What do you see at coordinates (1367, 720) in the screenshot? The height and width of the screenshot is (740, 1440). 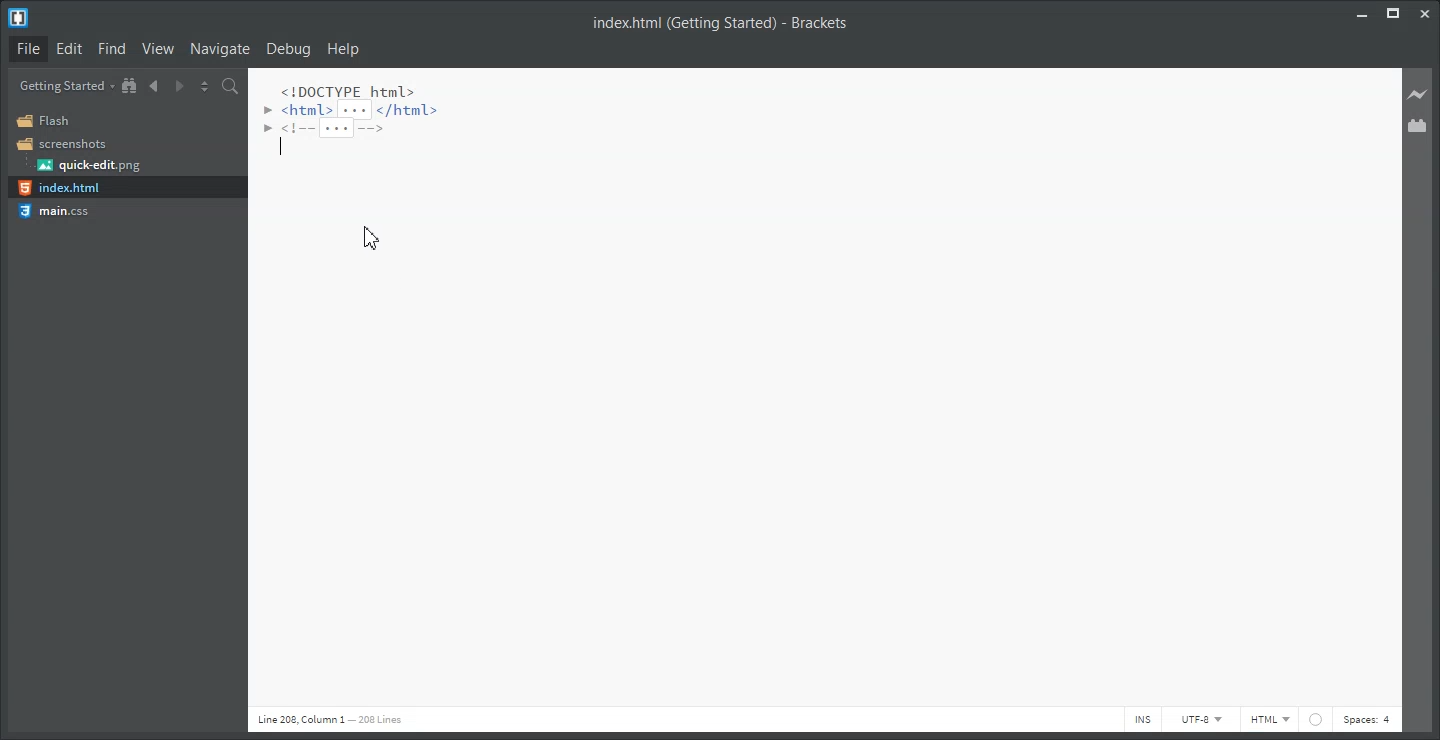 I see `Spaces: 4` at bounding box center [1367, 720].